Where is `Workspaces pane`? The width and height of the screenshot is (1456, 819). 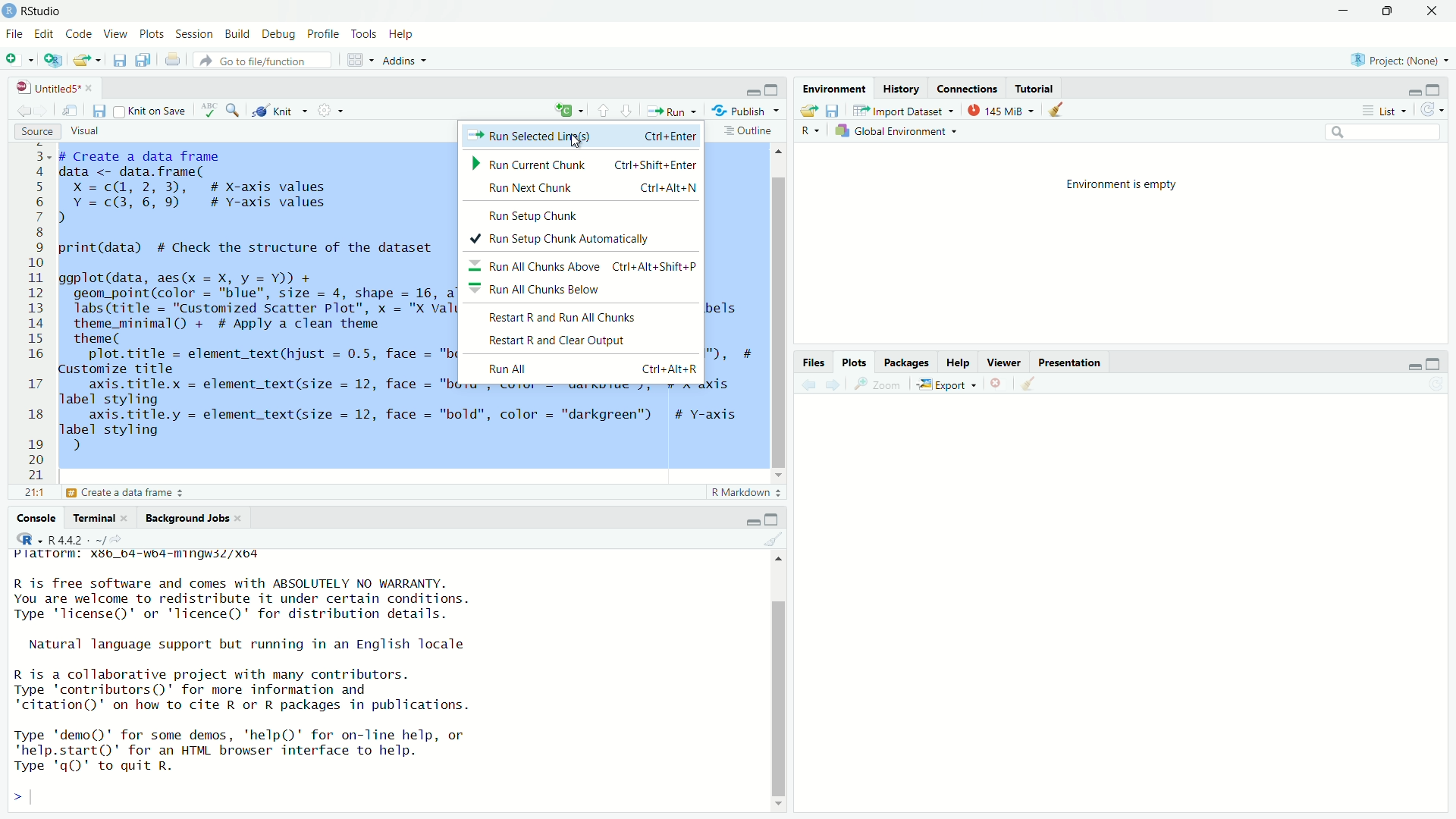 Workspaces pane is located at coordinates (361, 60).